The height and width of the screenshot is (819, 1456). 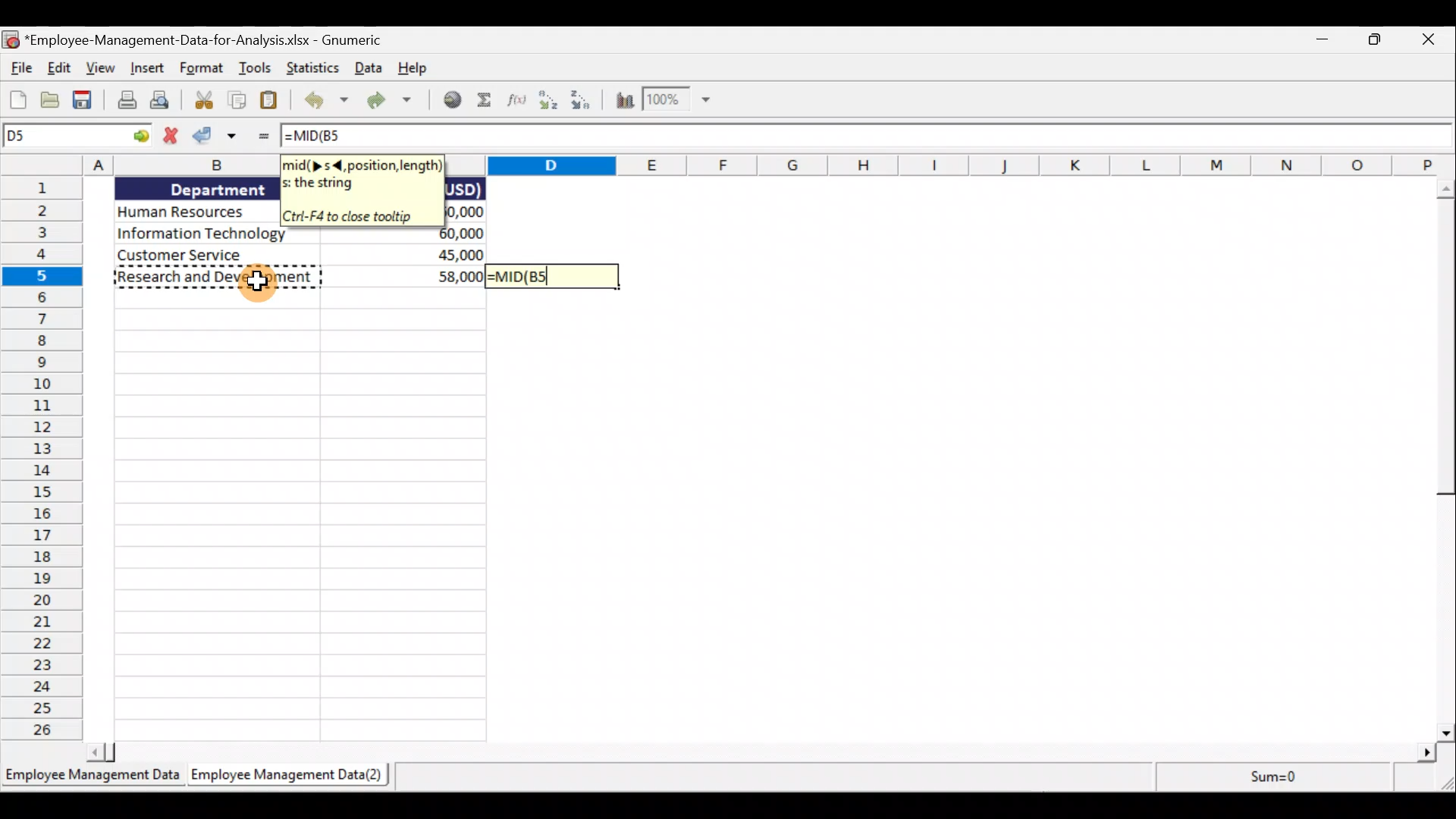 I want to click on Enter formula, so click(x=261, y=139).